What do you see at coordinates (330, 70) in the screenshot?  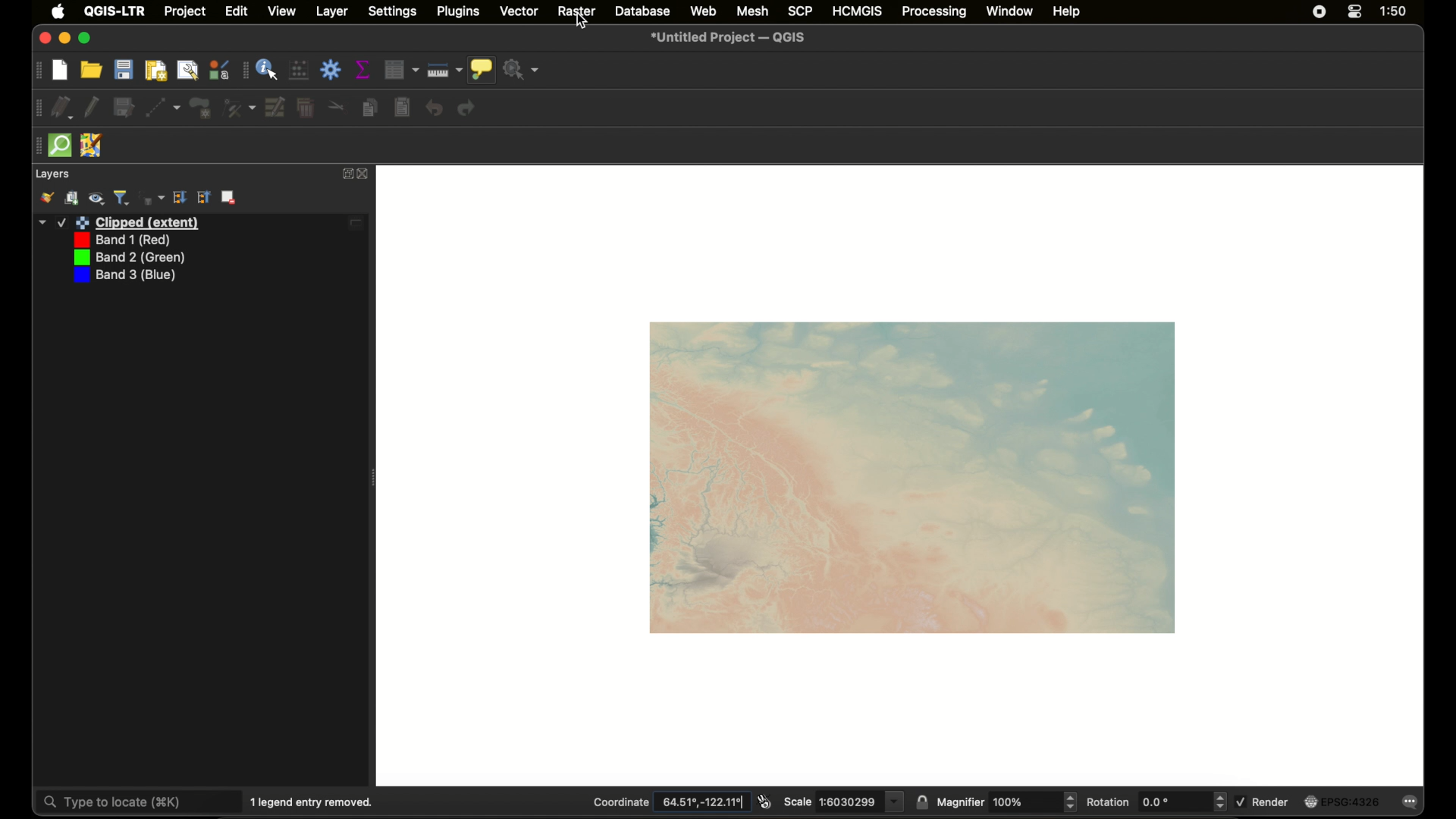 I see `toolbox` at bounding box center [330, 70].